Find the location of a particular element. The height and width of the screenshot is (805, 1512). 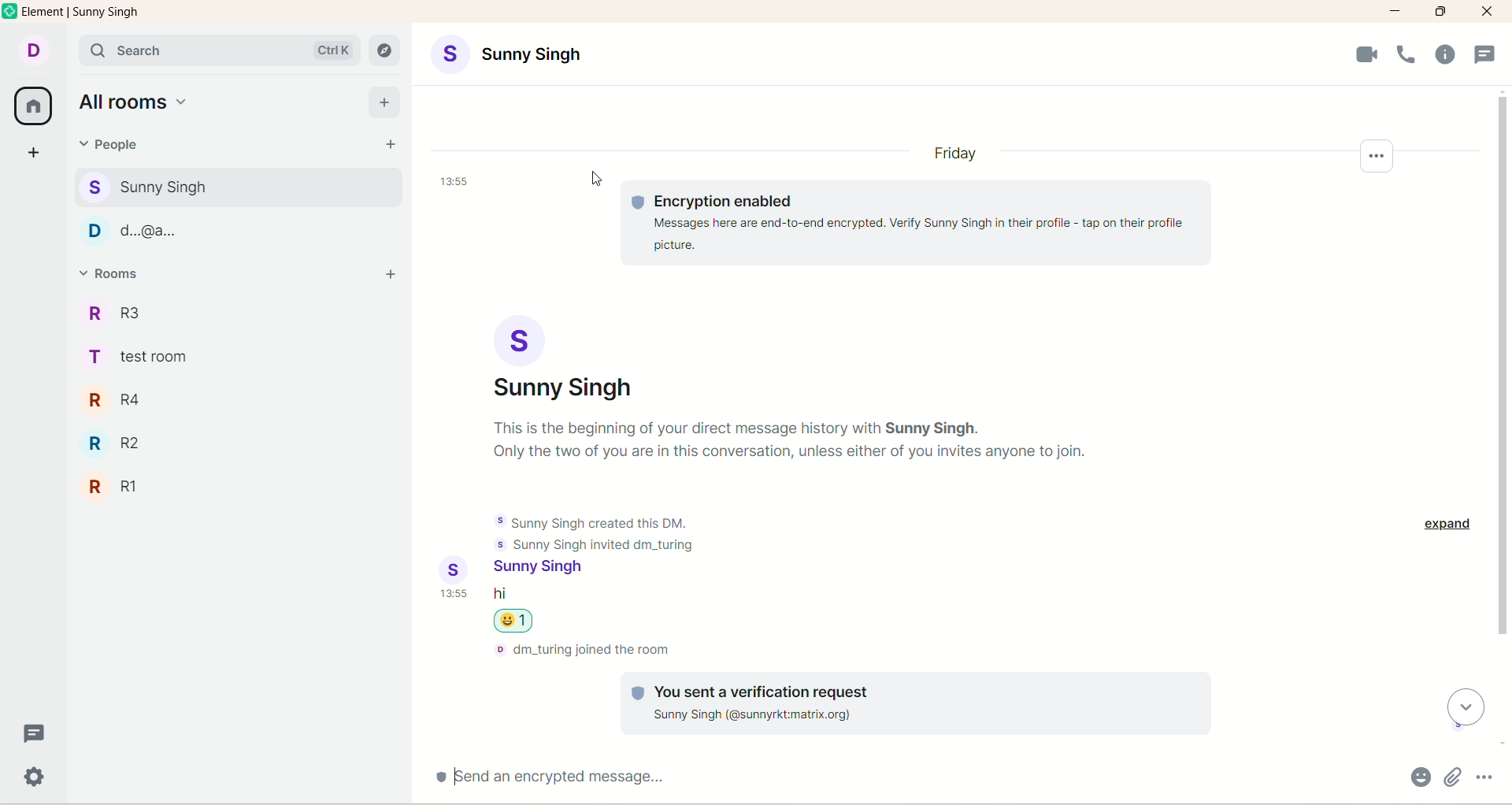

text is located at coordinates (917, 225).